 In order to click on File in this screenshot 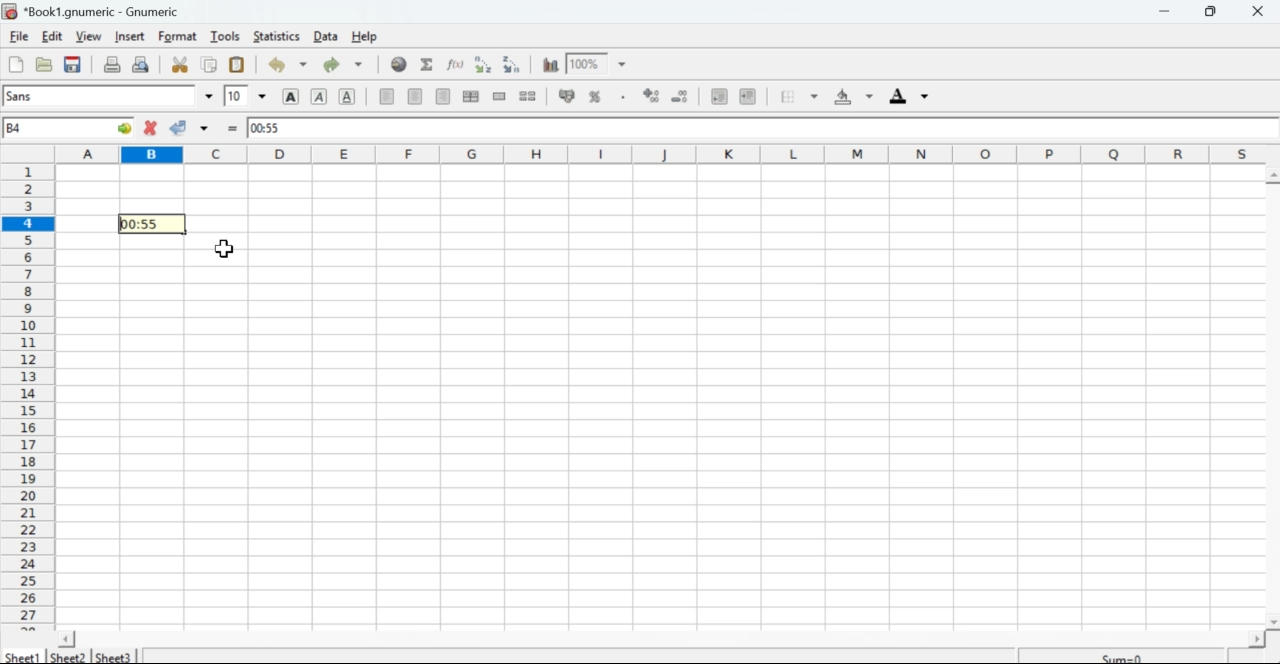, I will do `click(15, 66)`.